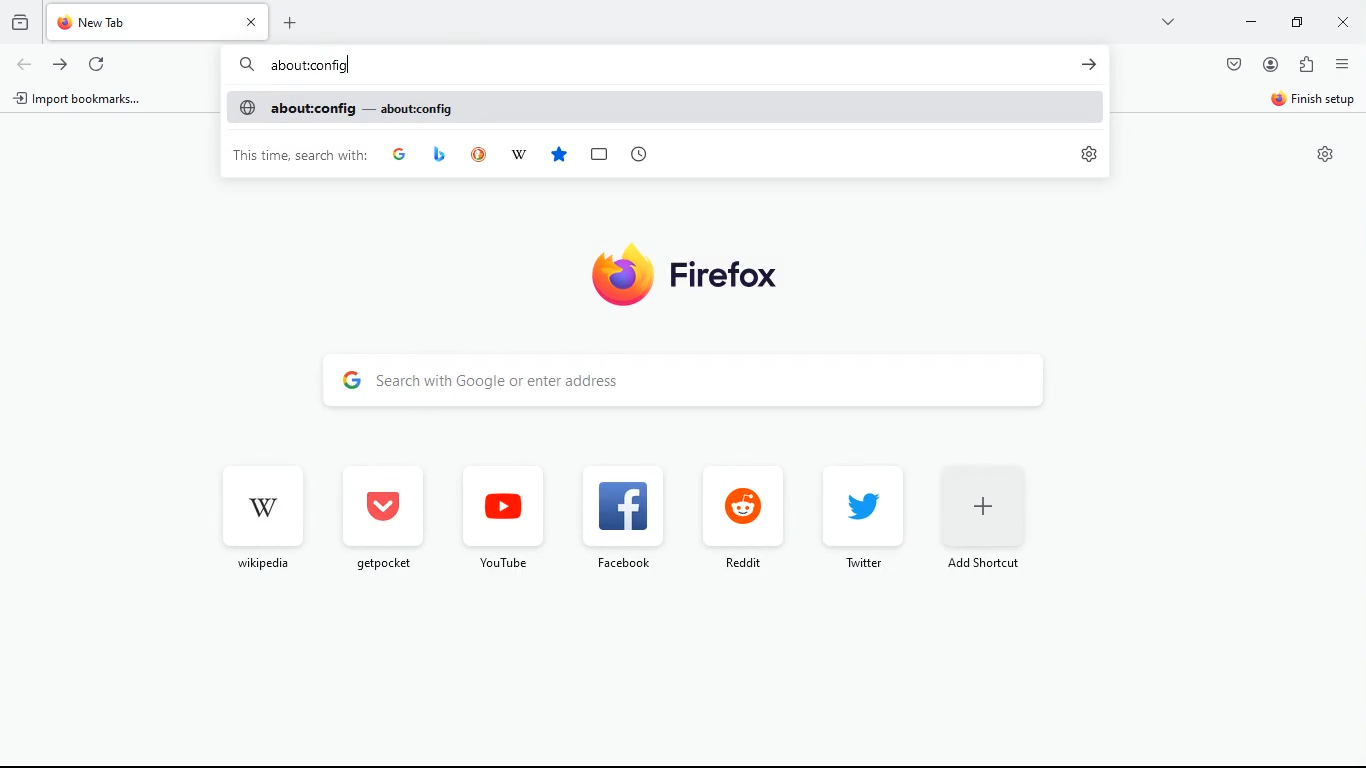  What do you see at coordinates (295, 21) in the screenshot?
I see `add tab` at bounding box center [295, 21].